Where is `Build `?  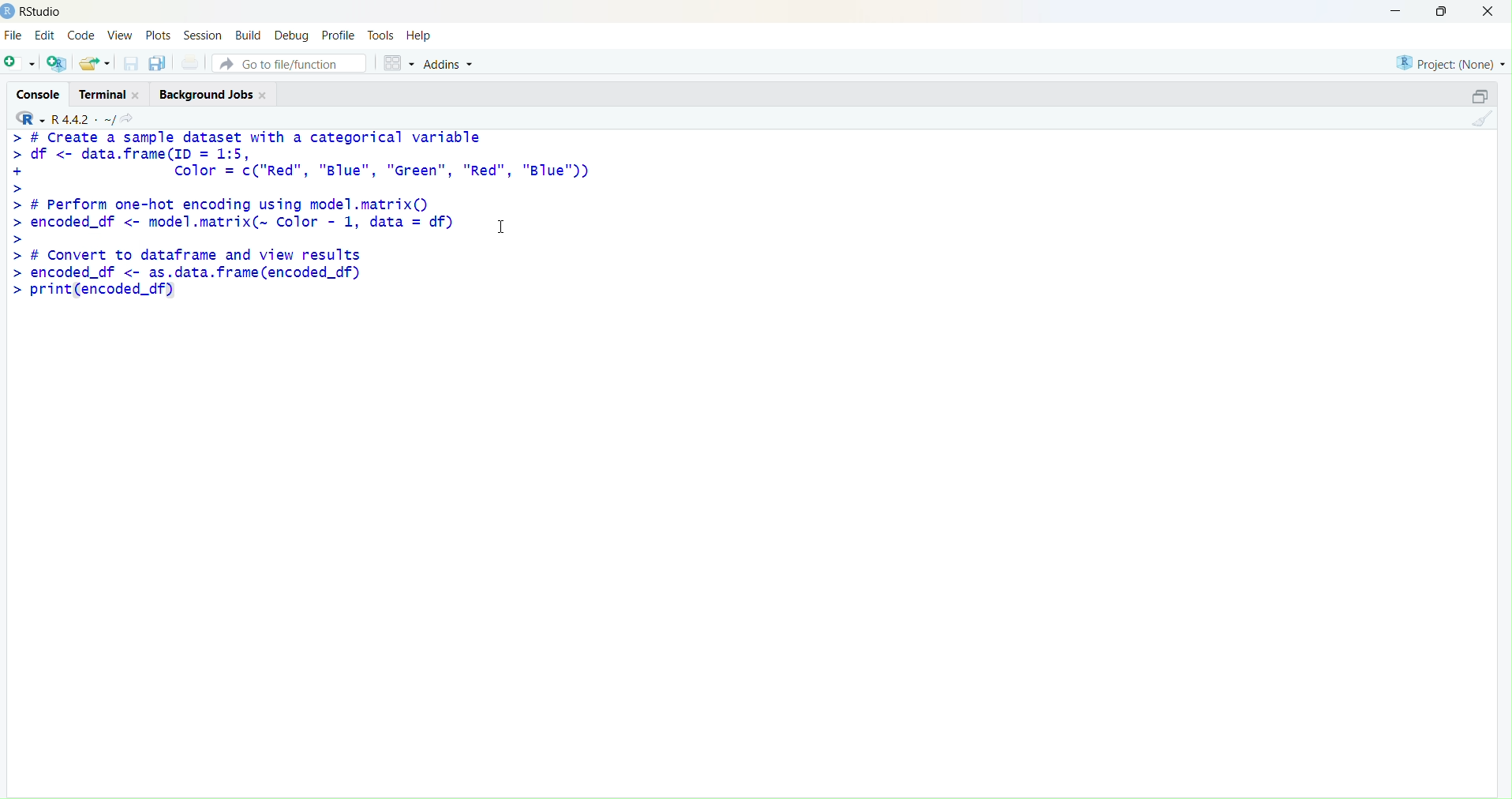
Build  is located at coordinates (250, 35).